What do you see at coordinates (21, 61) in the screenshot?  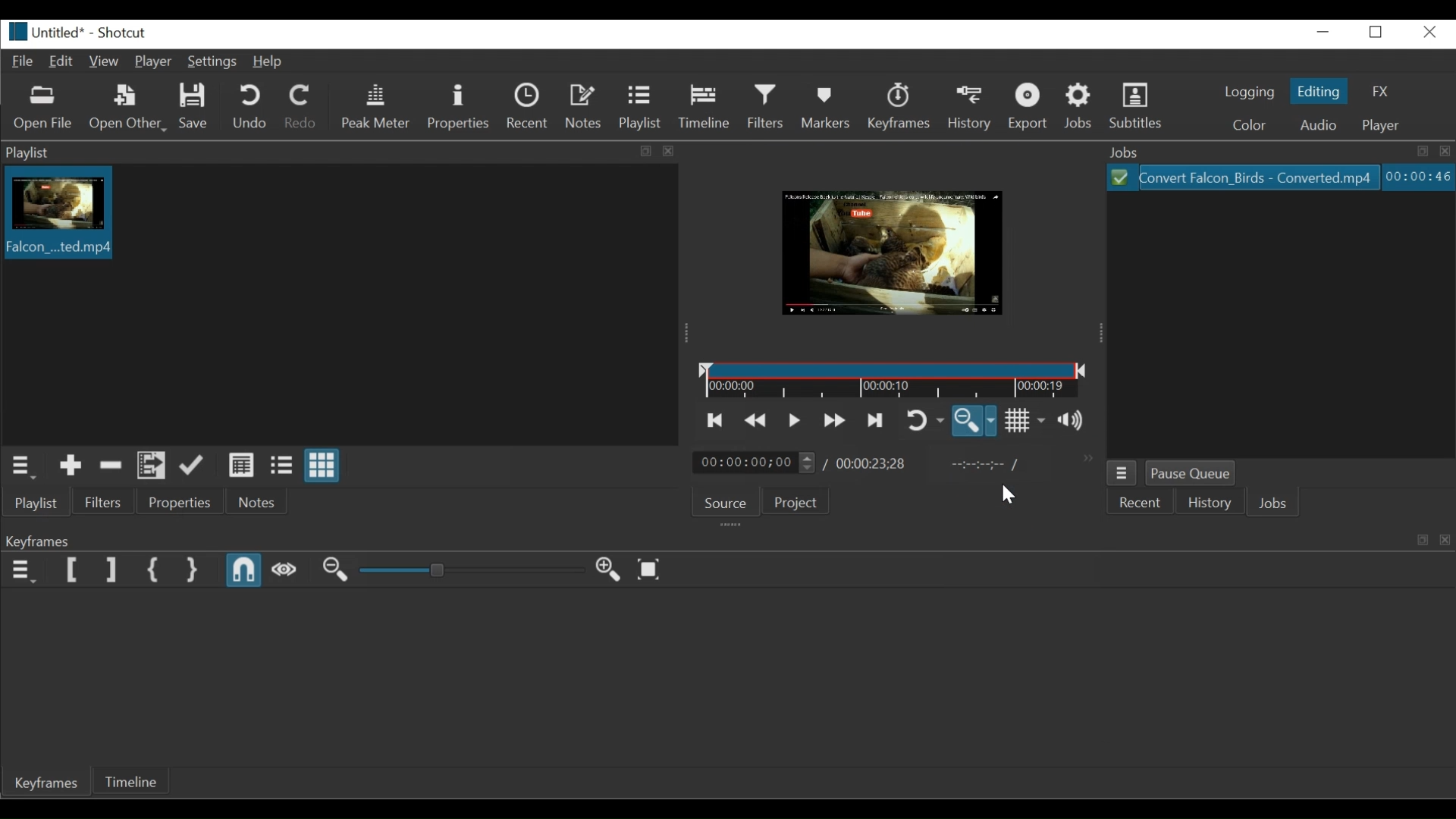 I see `File` at bounding box center [21, 61].